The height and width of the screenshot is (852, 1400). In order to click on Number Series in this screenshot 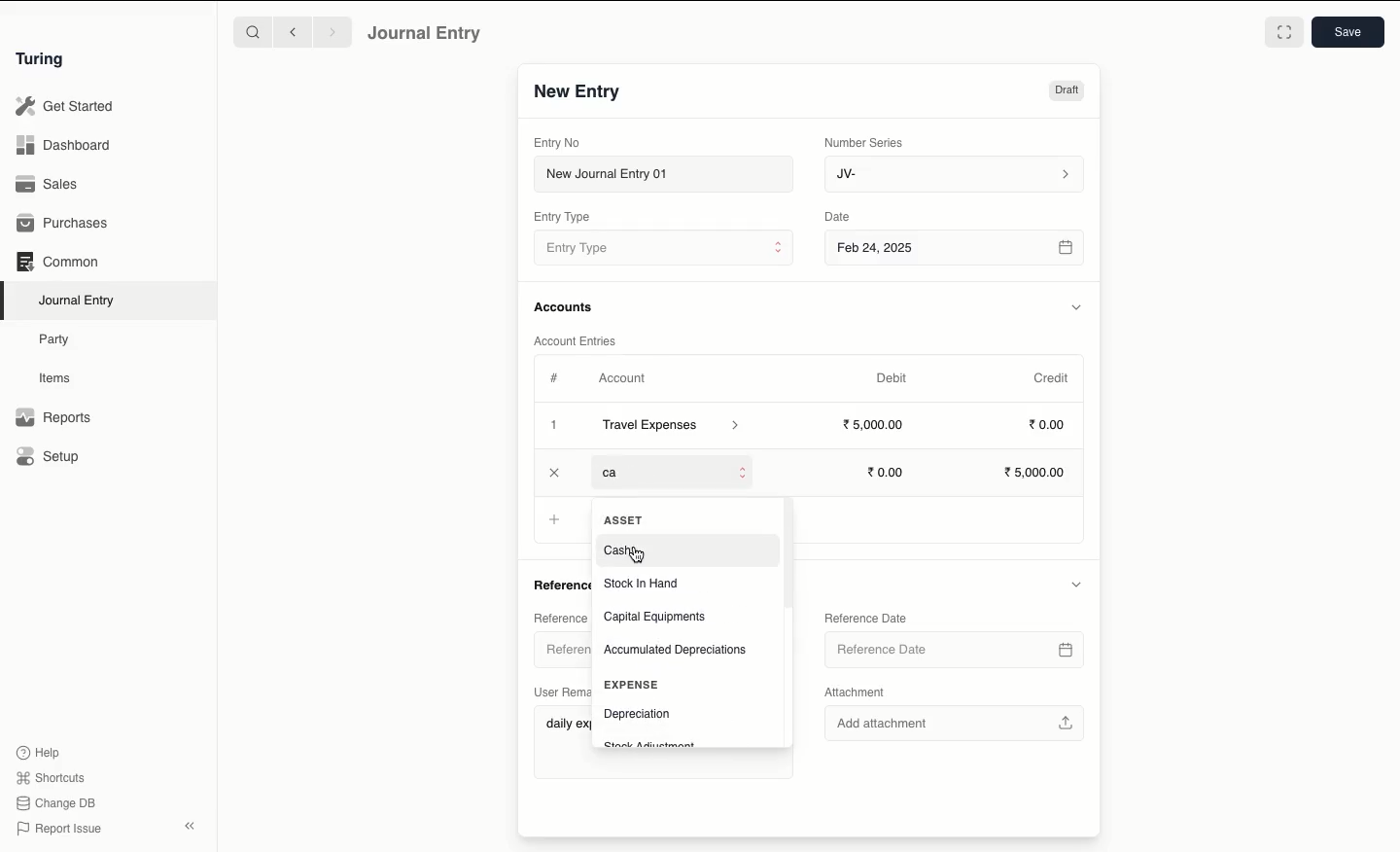, I will do `click(867, 143)`.